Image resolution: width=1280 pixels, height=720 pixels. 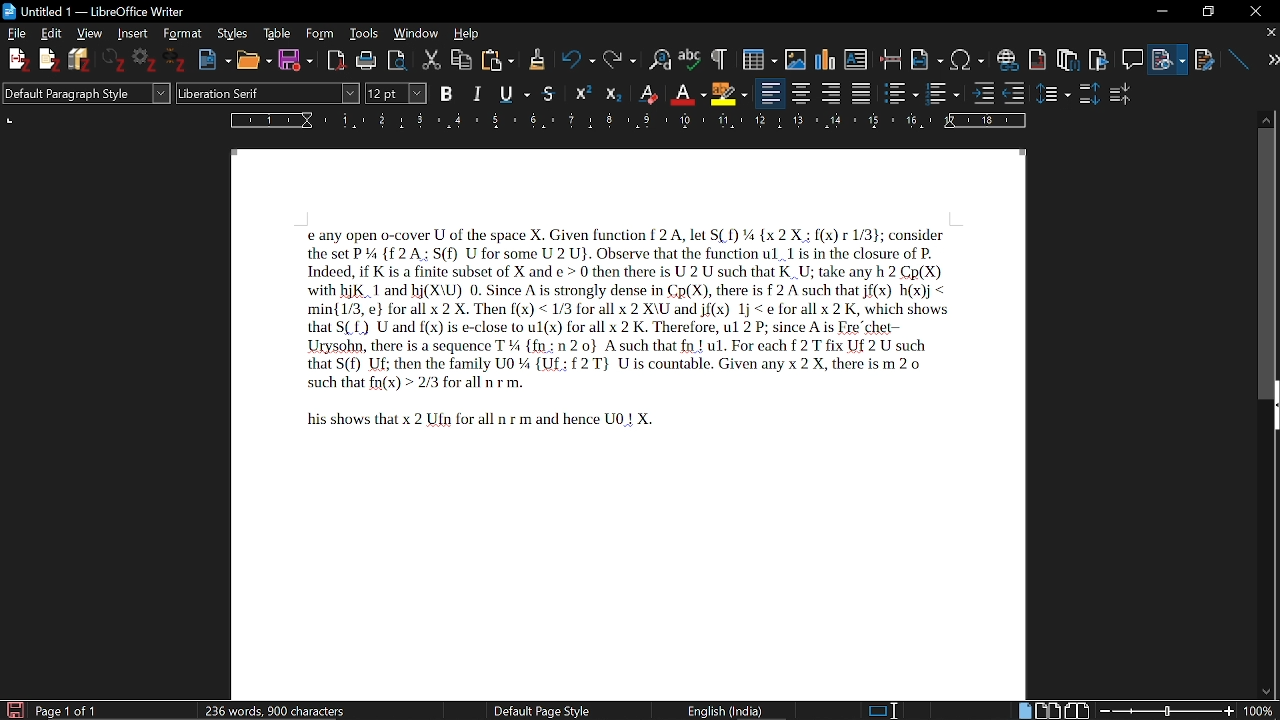 I want to click on Insert cross reference, so click(x=1205, y=55).